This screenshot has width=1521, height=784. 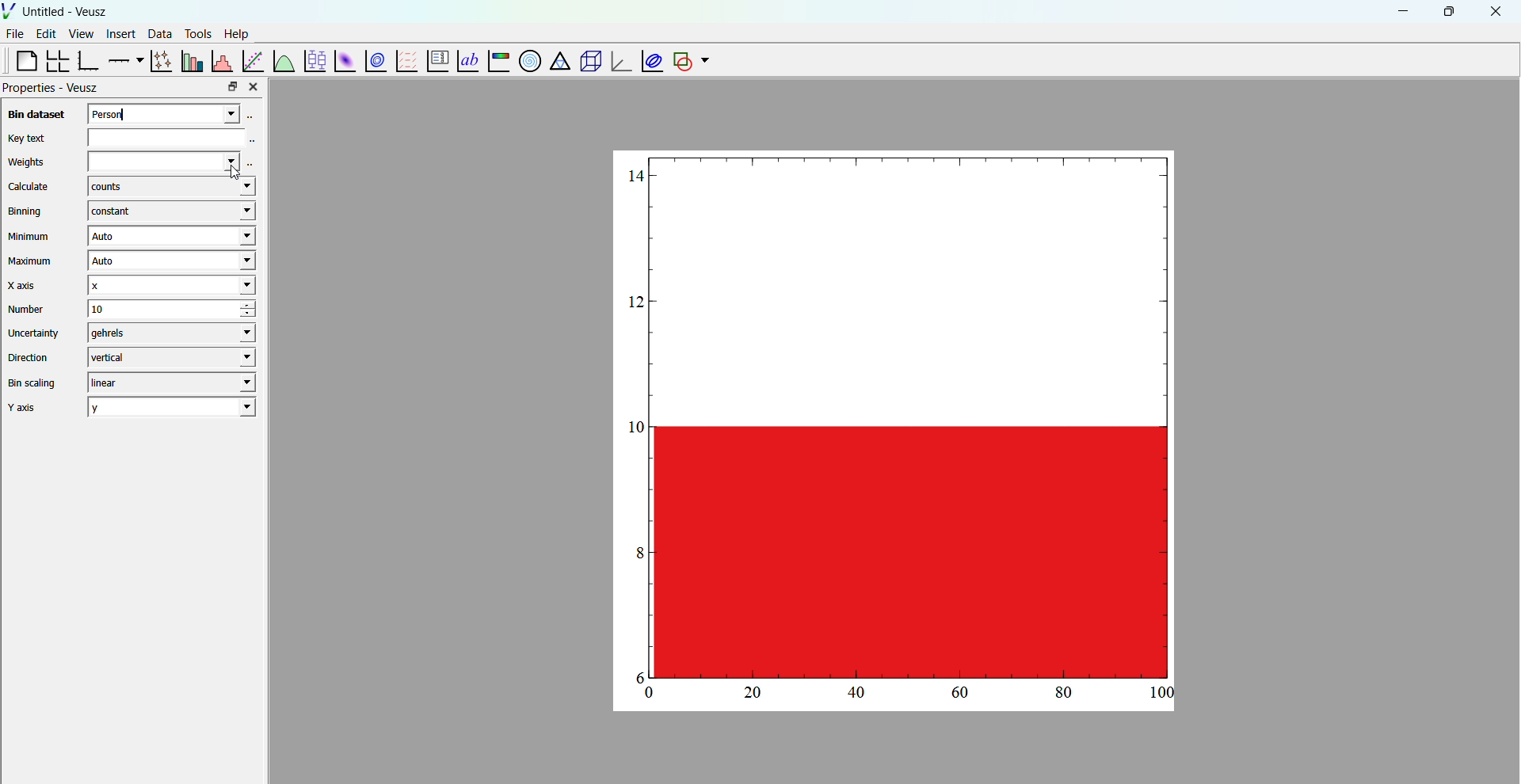 What do you see at coordinates (67, 12) in the screenshot?
I see `Untitled - Veusz` at bounding box center [67, 12].